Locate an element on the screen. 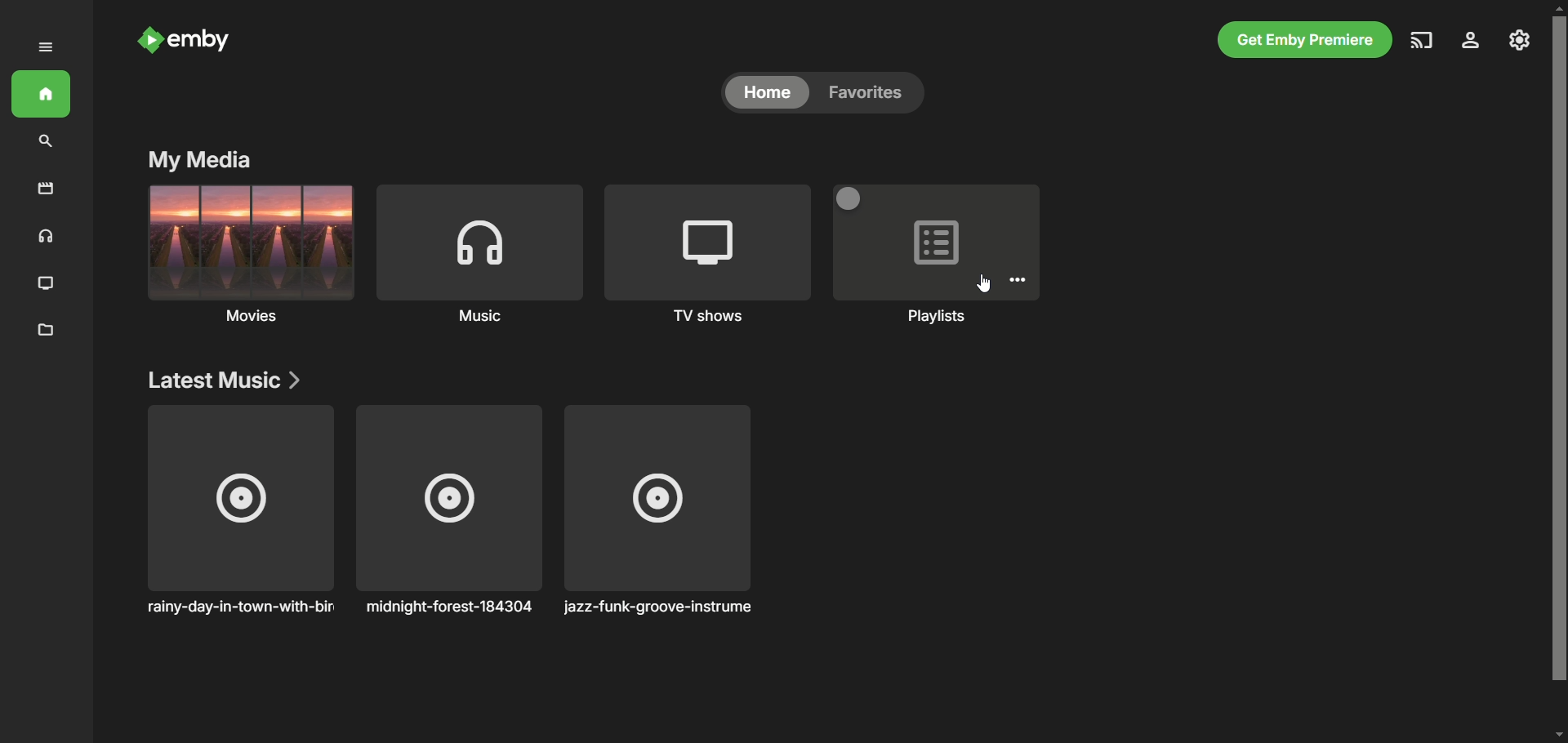  home is located at coordinates (41, 94).